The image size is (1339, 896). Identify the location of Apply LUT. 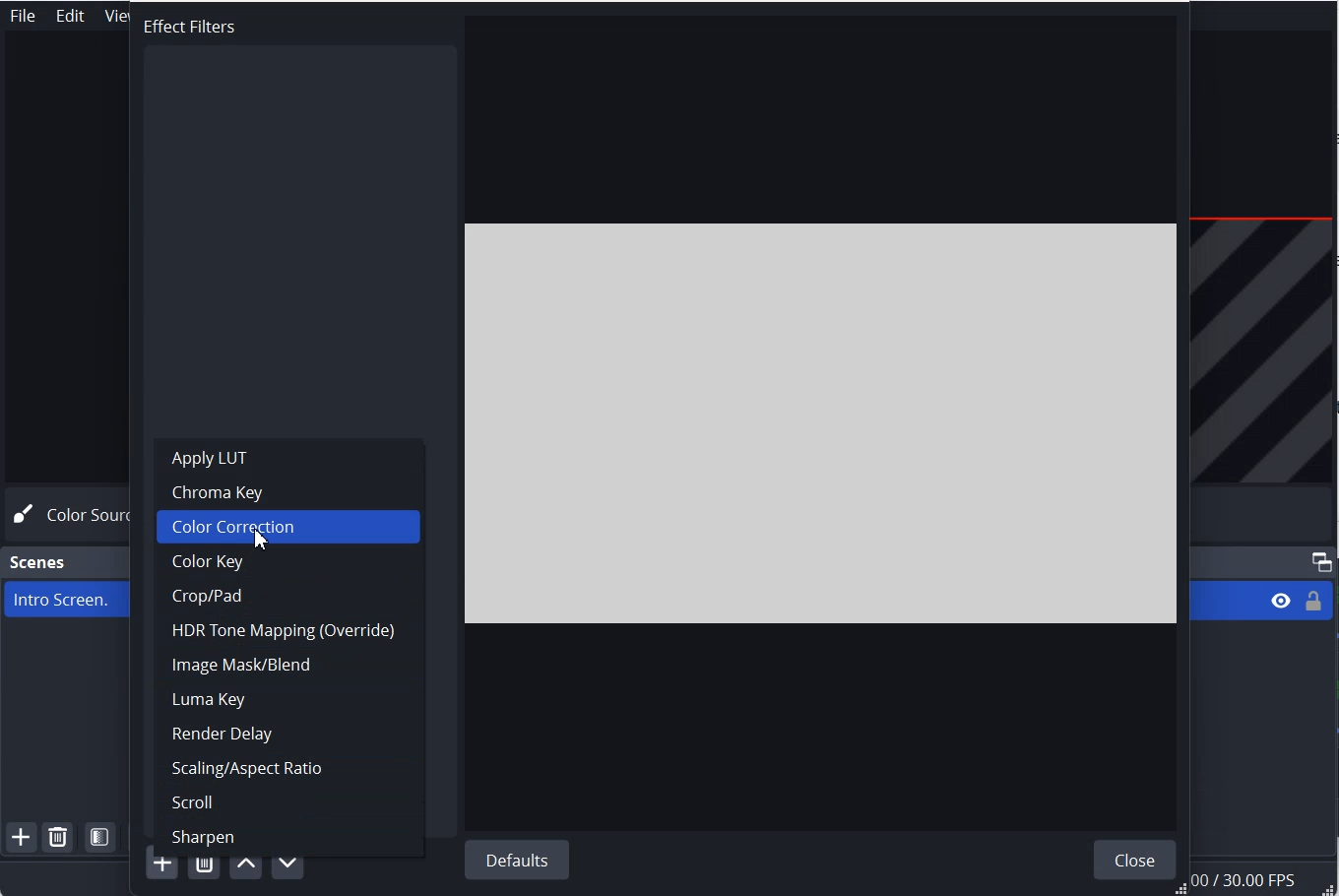
(286, 458).